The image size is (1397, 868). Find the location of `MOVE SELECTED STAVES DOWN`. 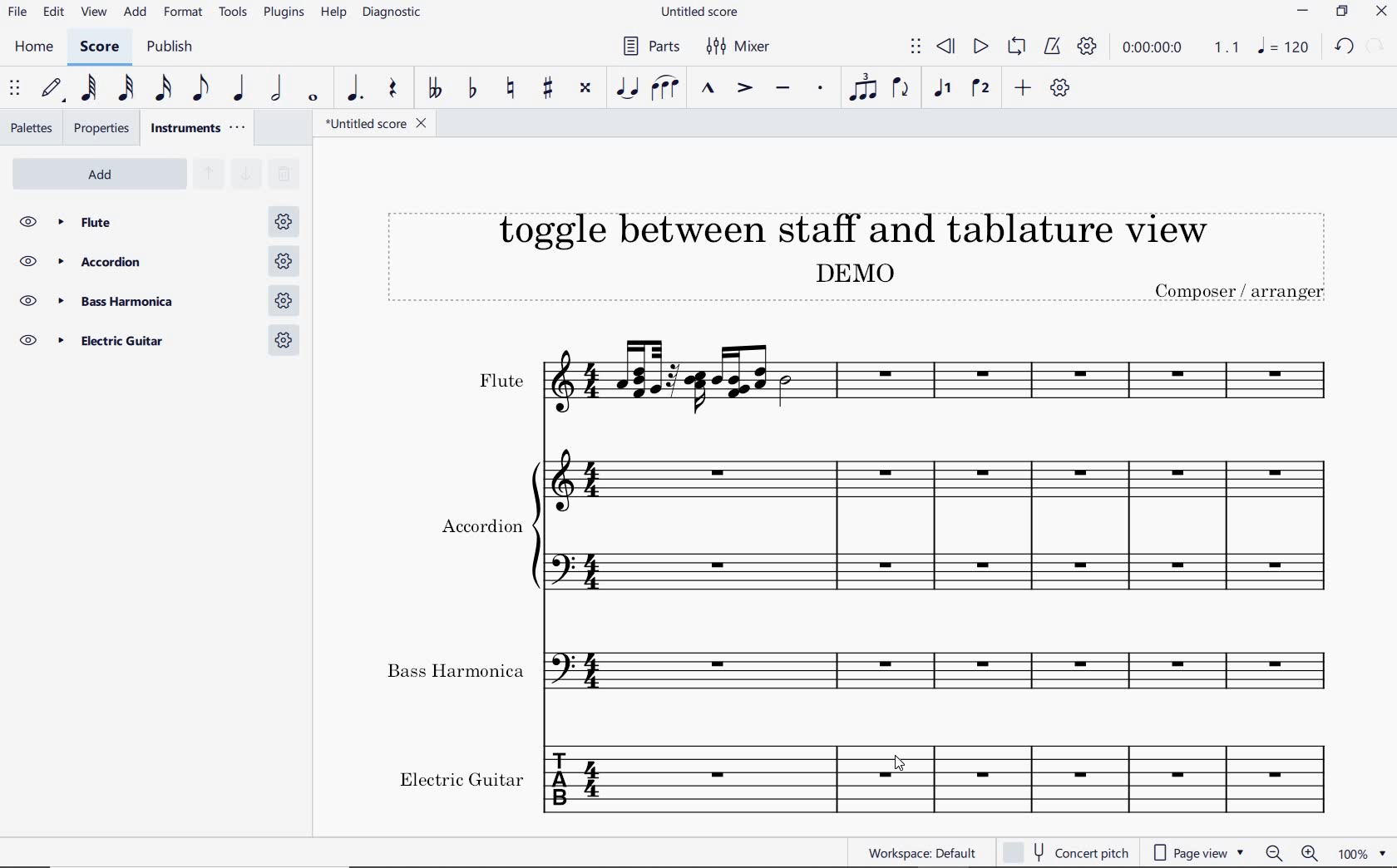

MOVE SELECTED STAVES DOWN is located at coordinates (246, 175).